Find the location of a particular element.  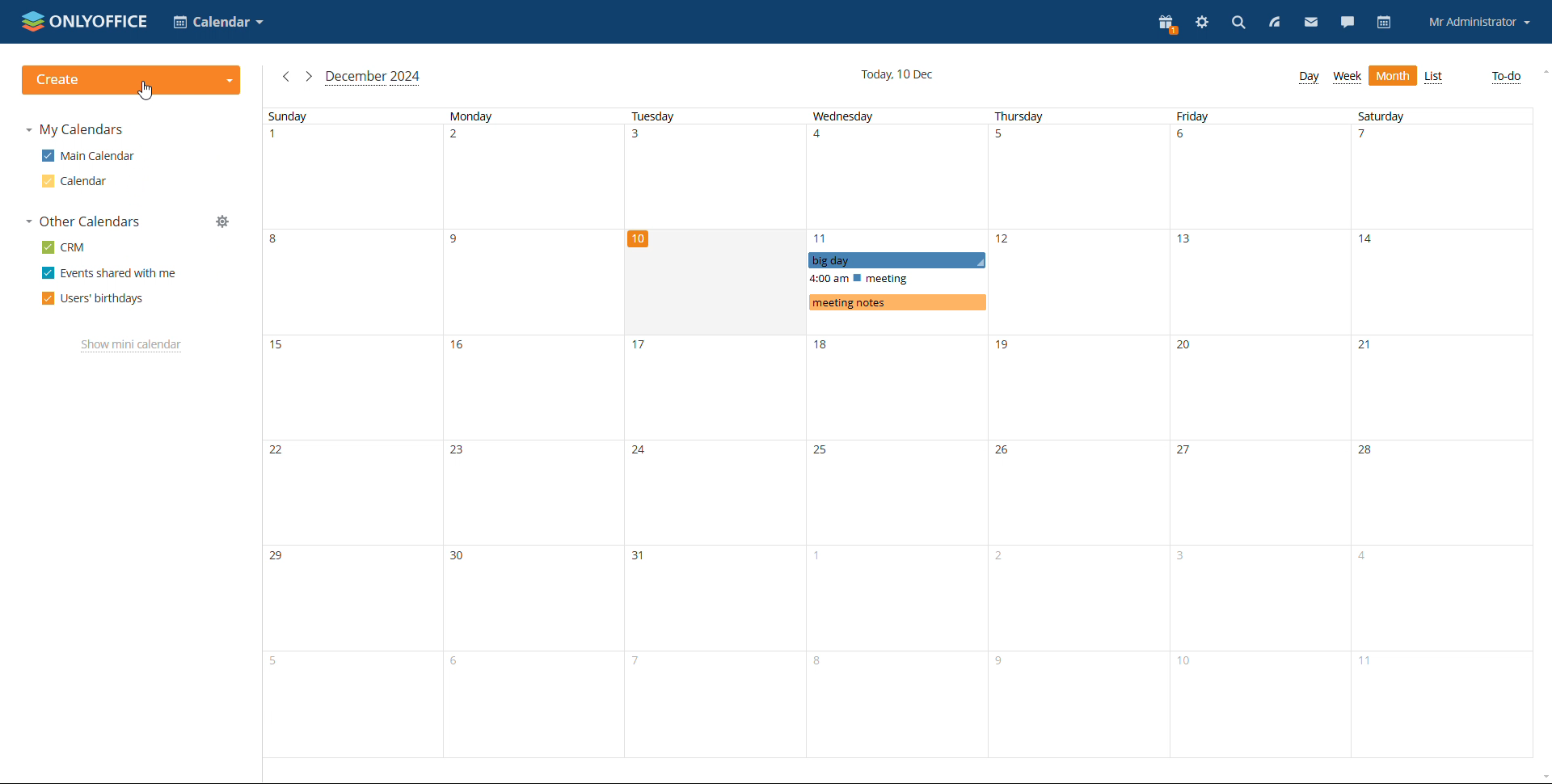

users' birthdays is located at coordinates (93, 298).